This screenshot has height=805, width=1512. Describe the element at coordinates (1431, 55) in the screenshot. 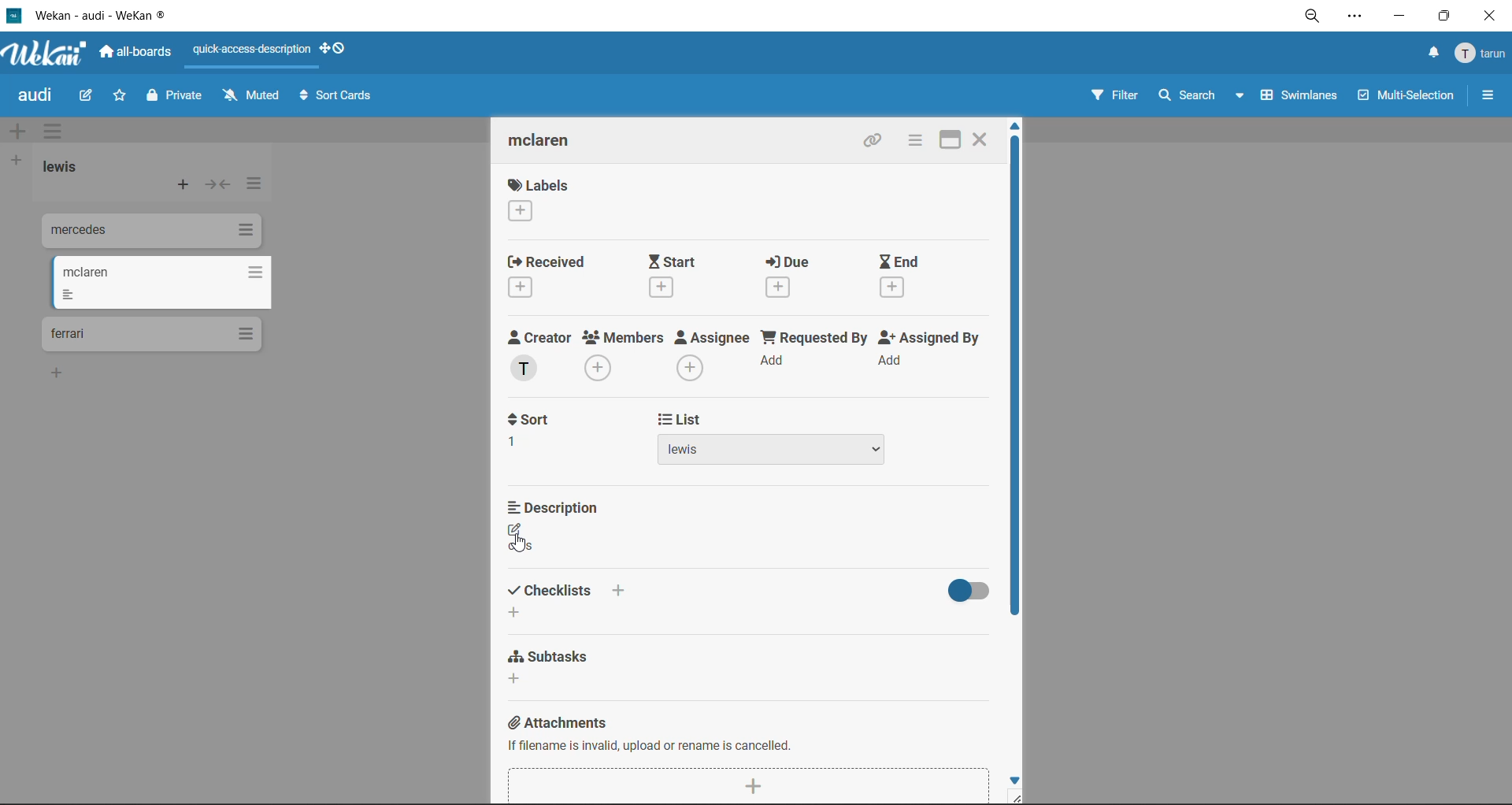

I see `notifications` at that location.